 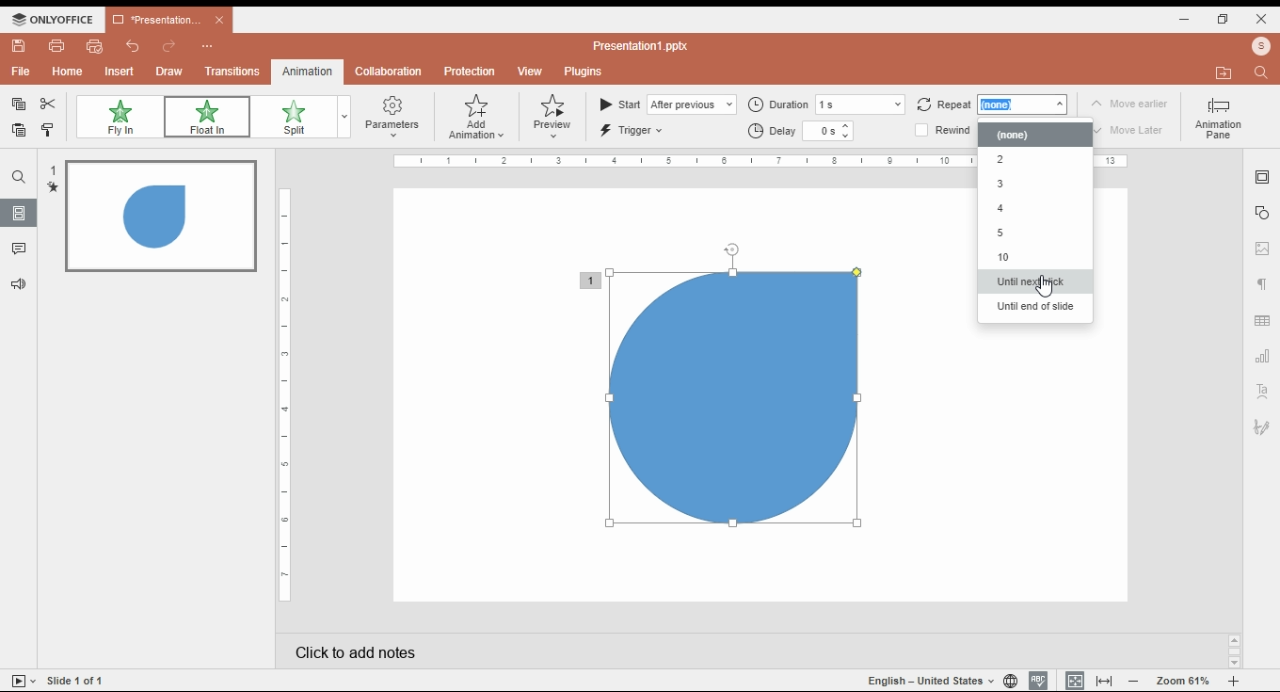 What do you see at coordinates (724, 399) in the screenshot?
I see `shape` at bounding box center [724, 399].